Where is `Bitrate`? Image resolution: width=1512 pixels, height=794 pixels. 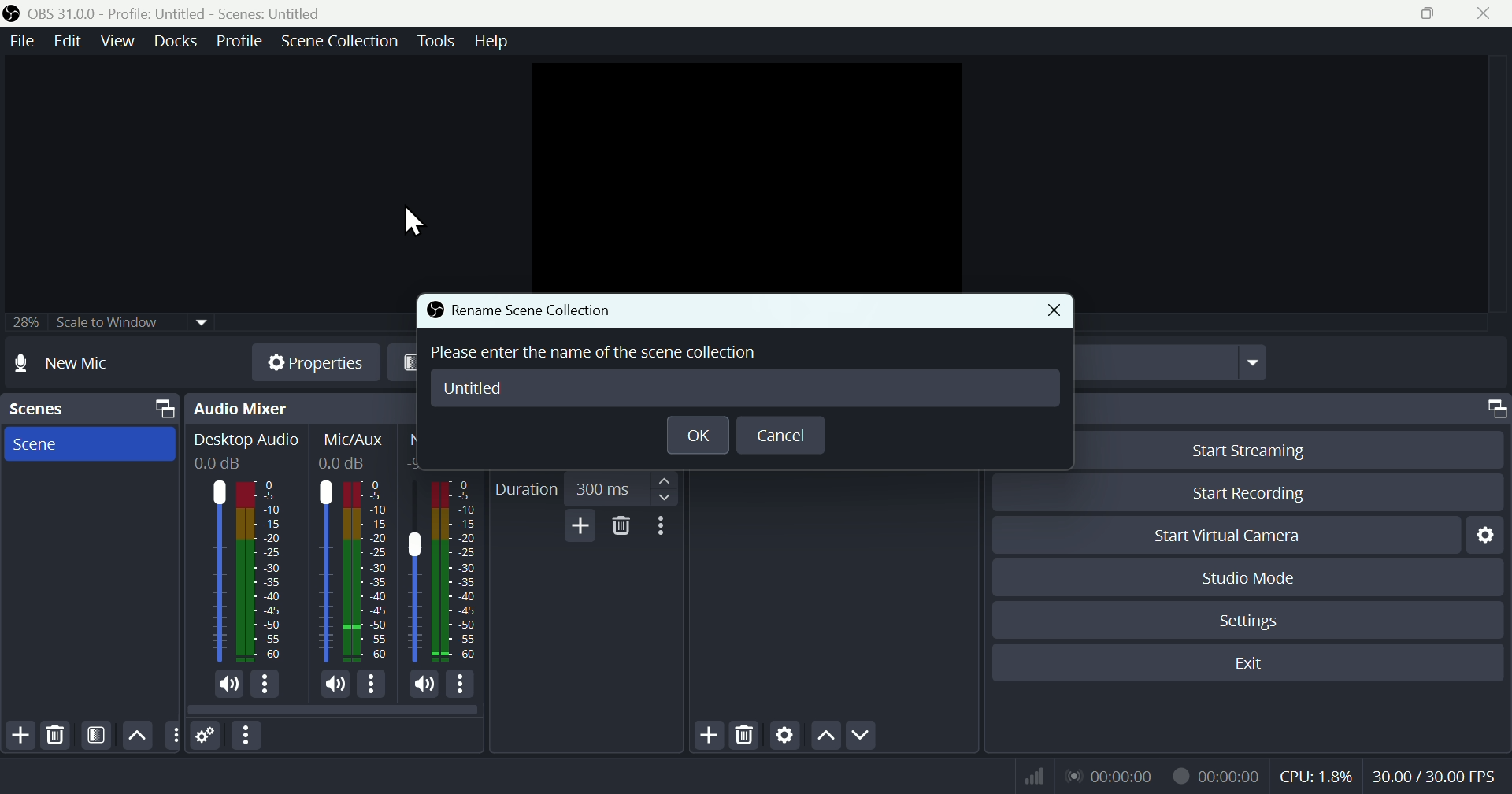
Bitrate is located at coordinates (1036, 774).